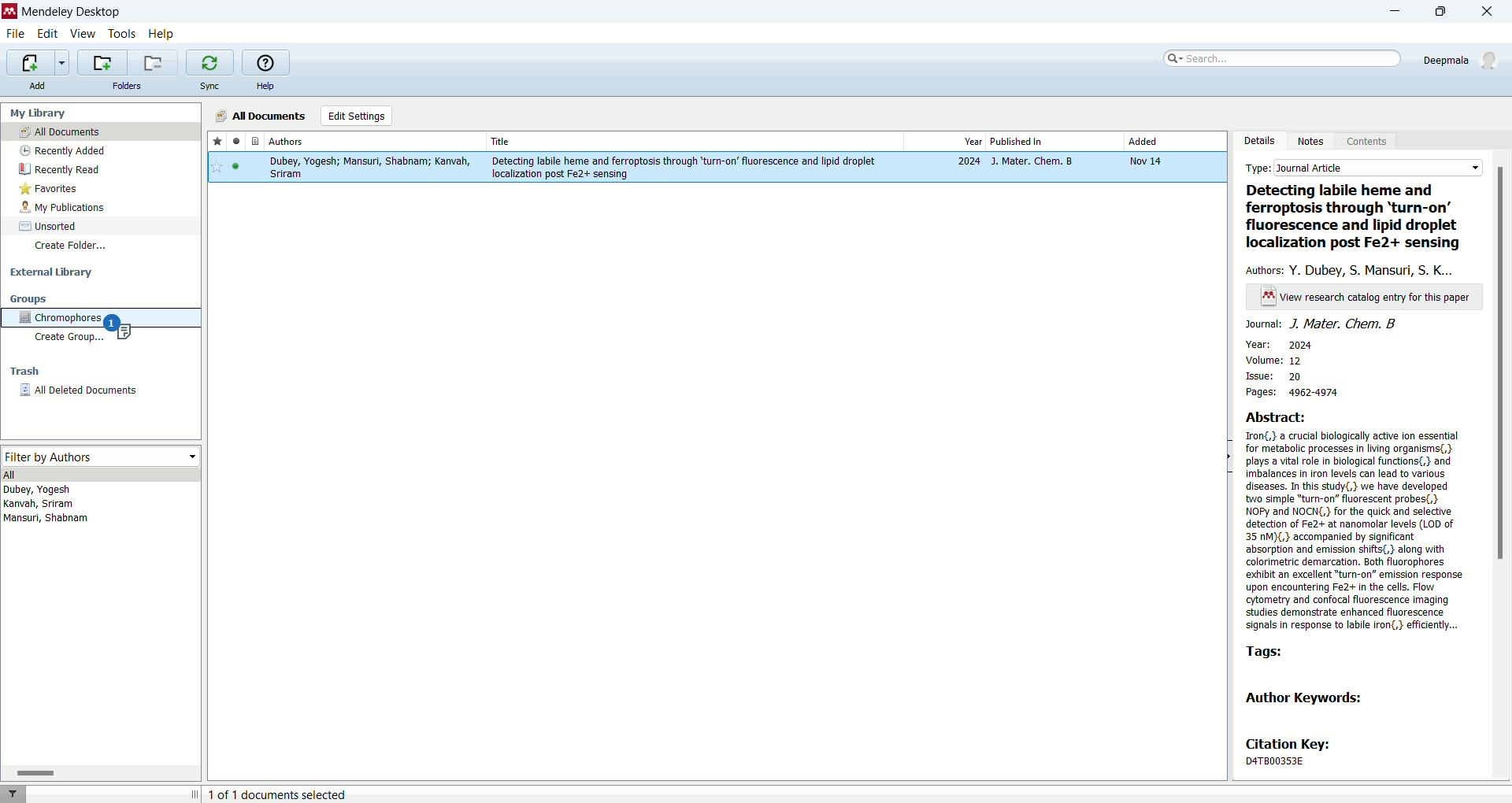 The width and height of the screenshot is (1512, 803). What do you see at coordinates (217, 142) in the screenshot?
I see `favorite` at bounding box center [217, 142].